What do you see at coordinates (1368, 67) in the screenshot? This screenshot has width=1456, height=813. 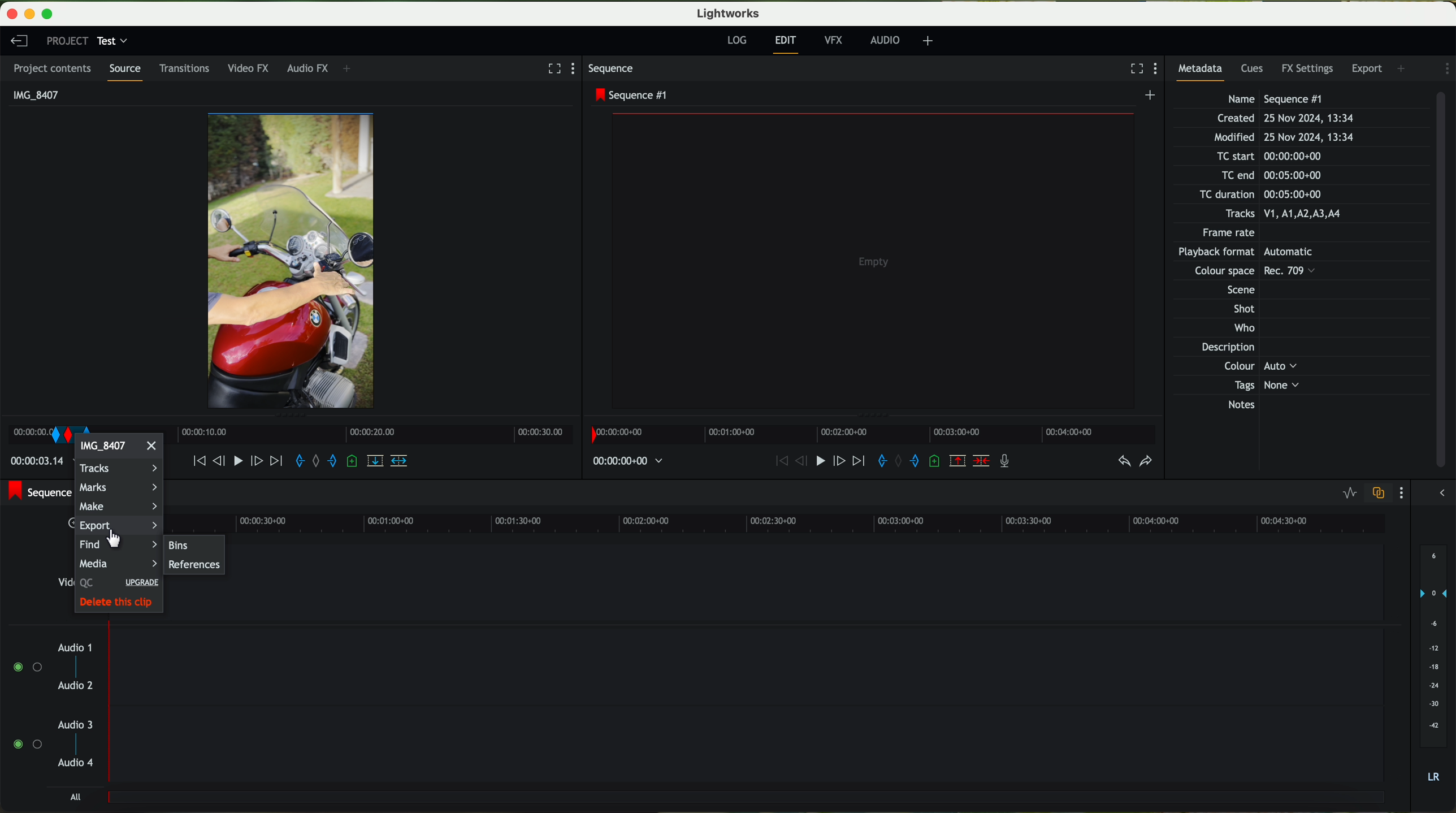 I see `export` at bounding box center [1368, 67].